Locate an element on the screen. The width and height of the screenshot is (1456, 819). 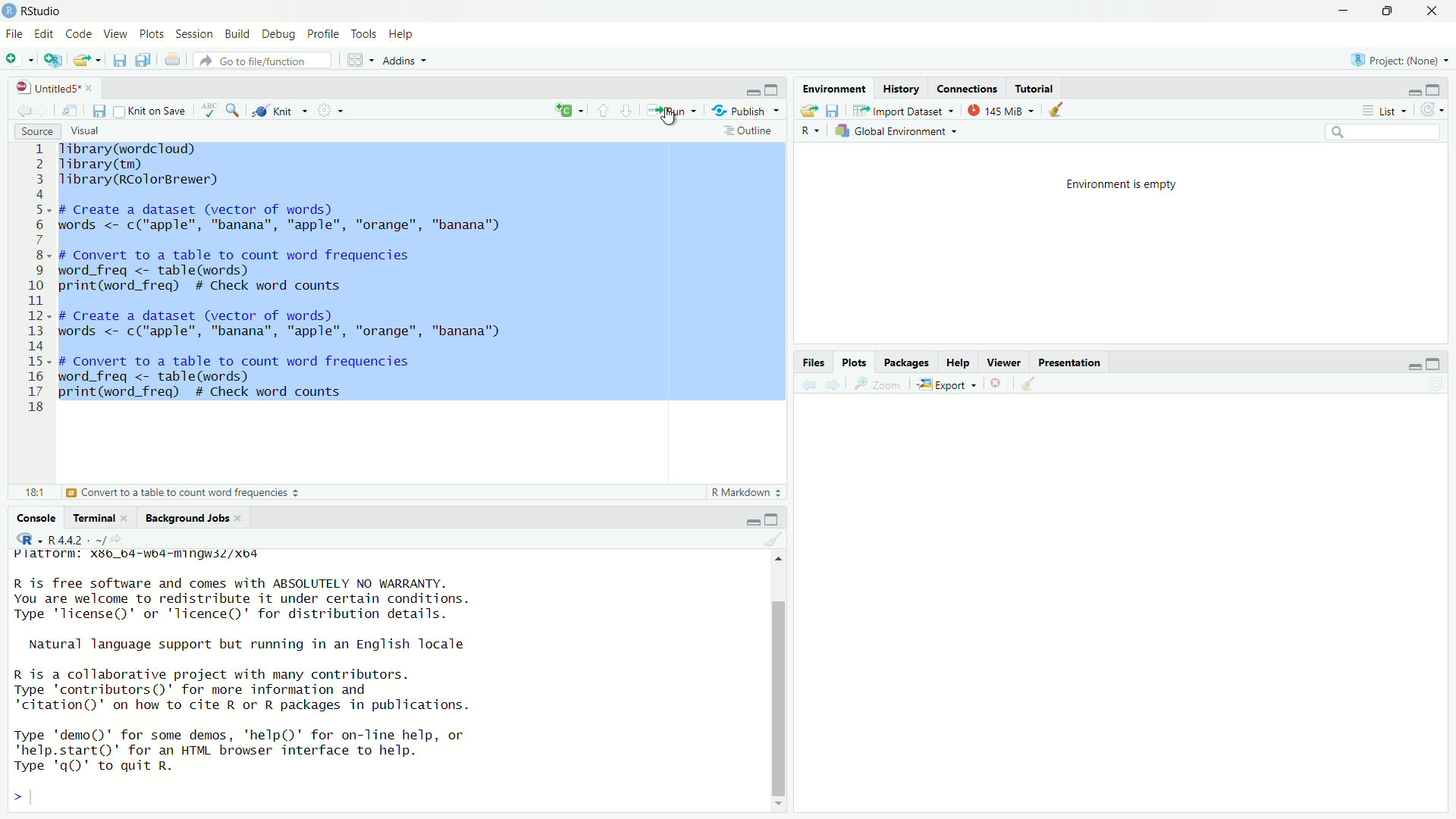
Plots is located at coordinates (855, 362).